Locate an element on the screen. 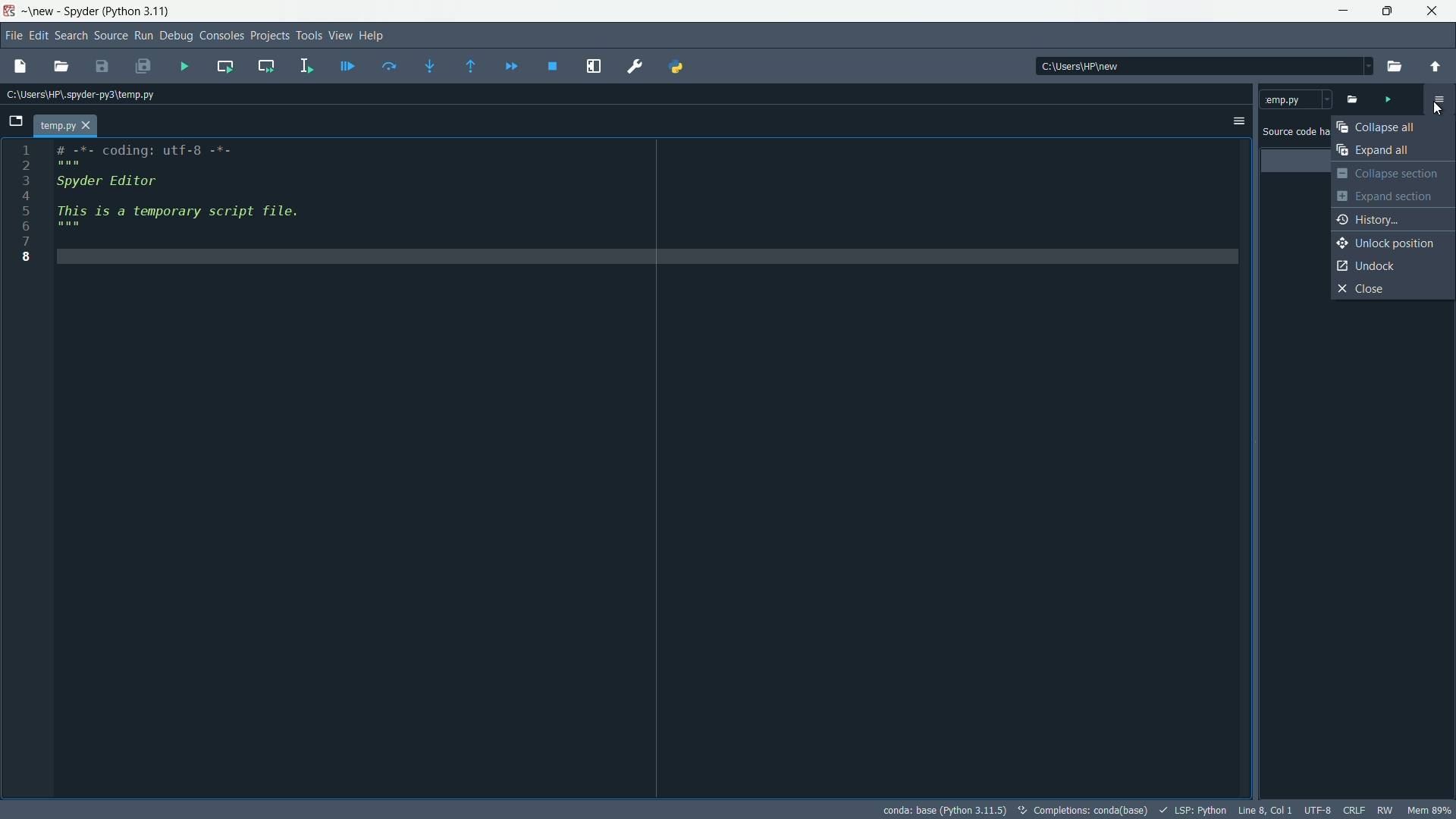  run selection is located at coordinates (306, 65).